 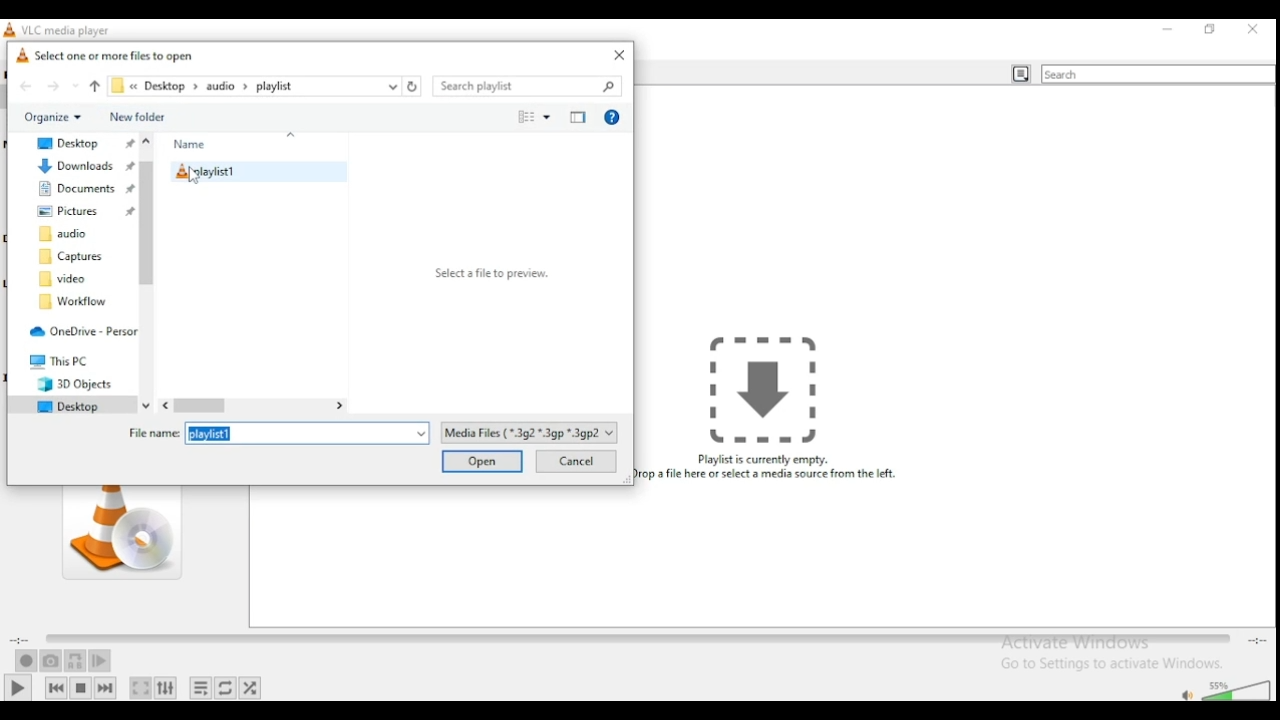 I want to click on new folder, so click(x=139, y=114).